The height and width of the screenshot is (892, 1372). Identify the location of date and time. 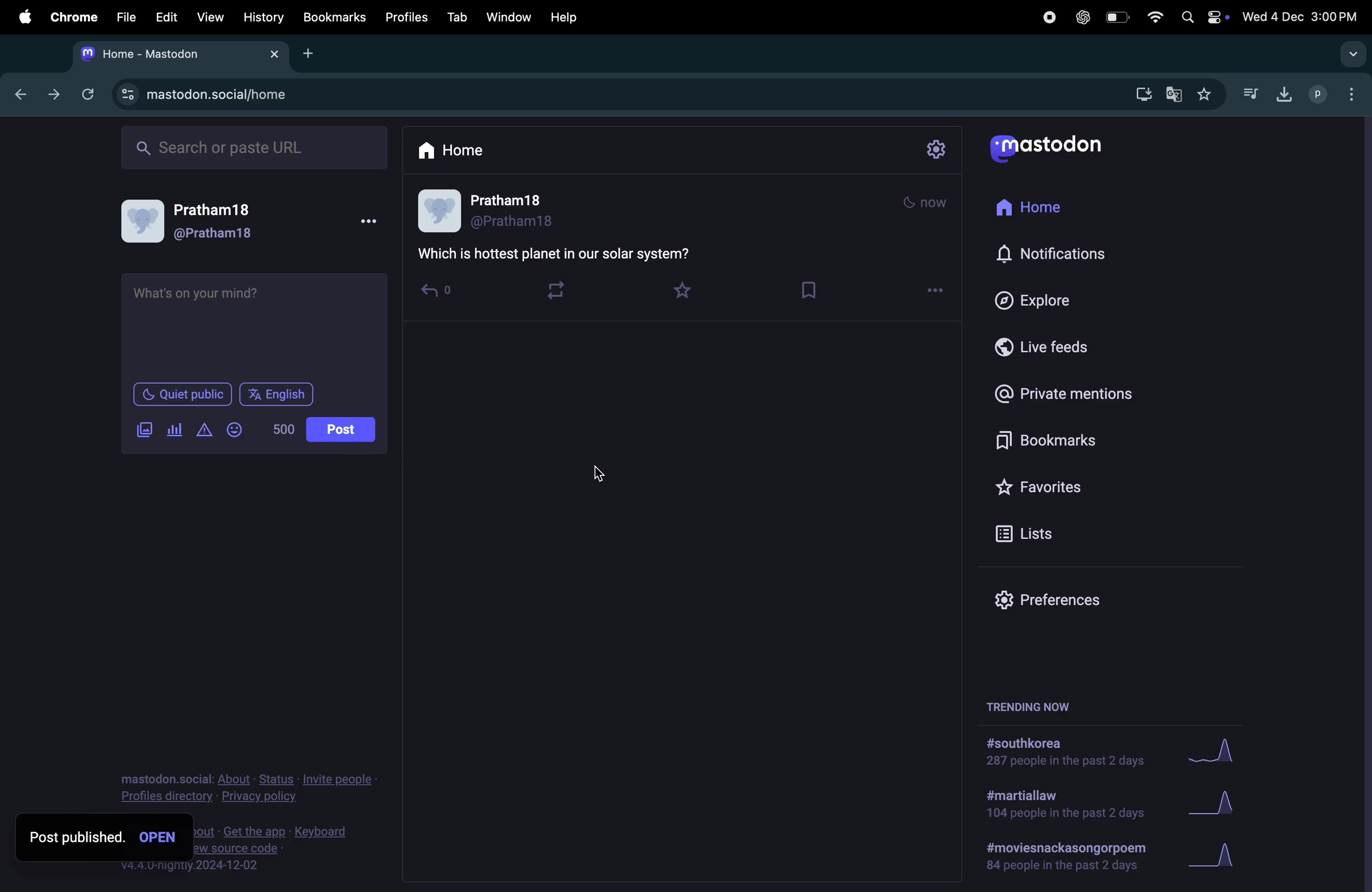
(1299, 17).